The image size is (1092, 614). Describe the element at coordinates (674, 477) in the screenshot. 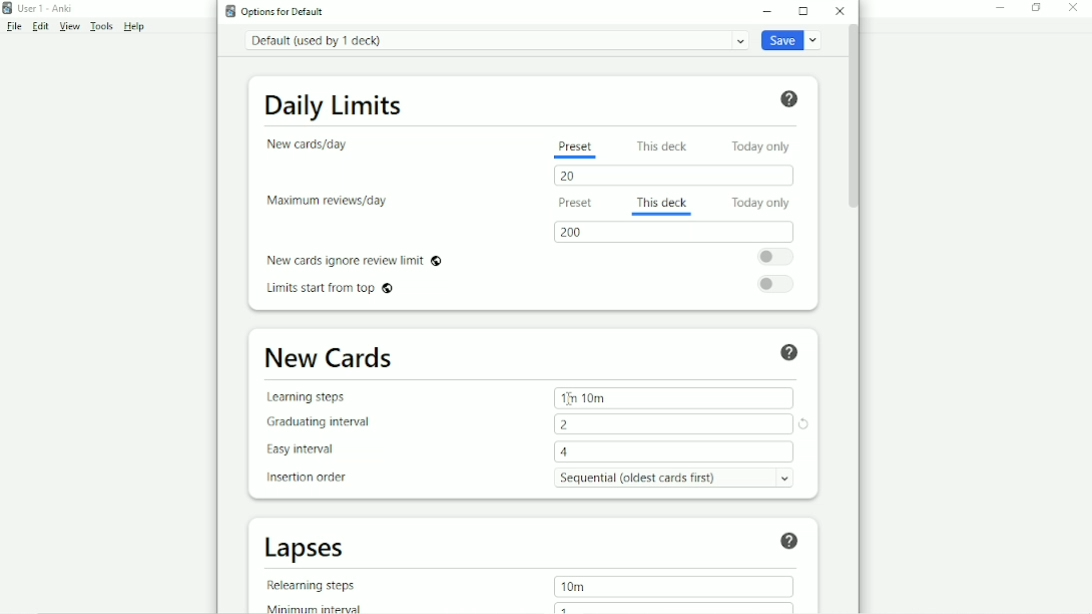

I see `Sequential (oldest card first)` at that location.